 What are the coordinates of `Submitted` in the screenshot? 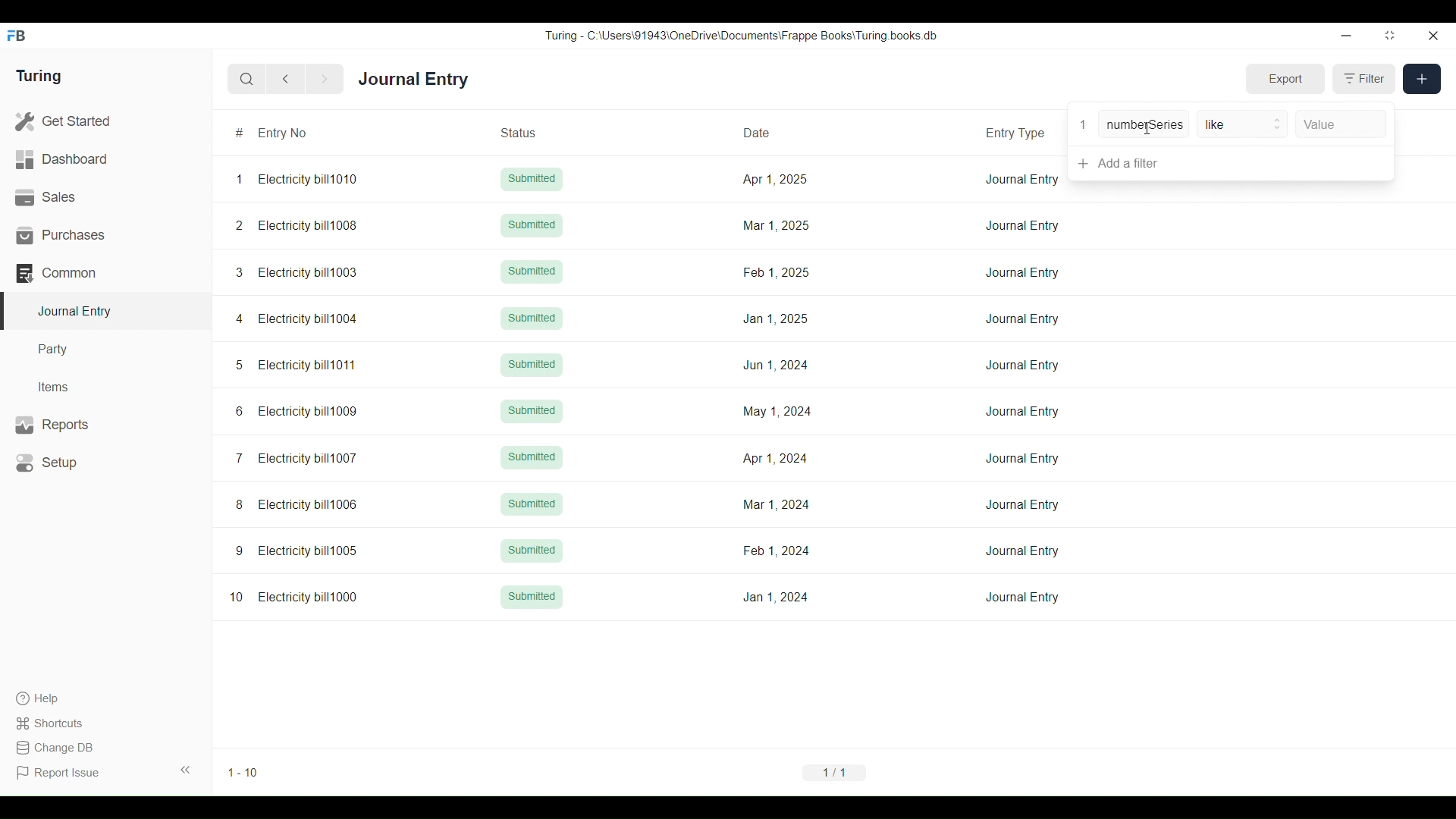 It's located at (531, 503).